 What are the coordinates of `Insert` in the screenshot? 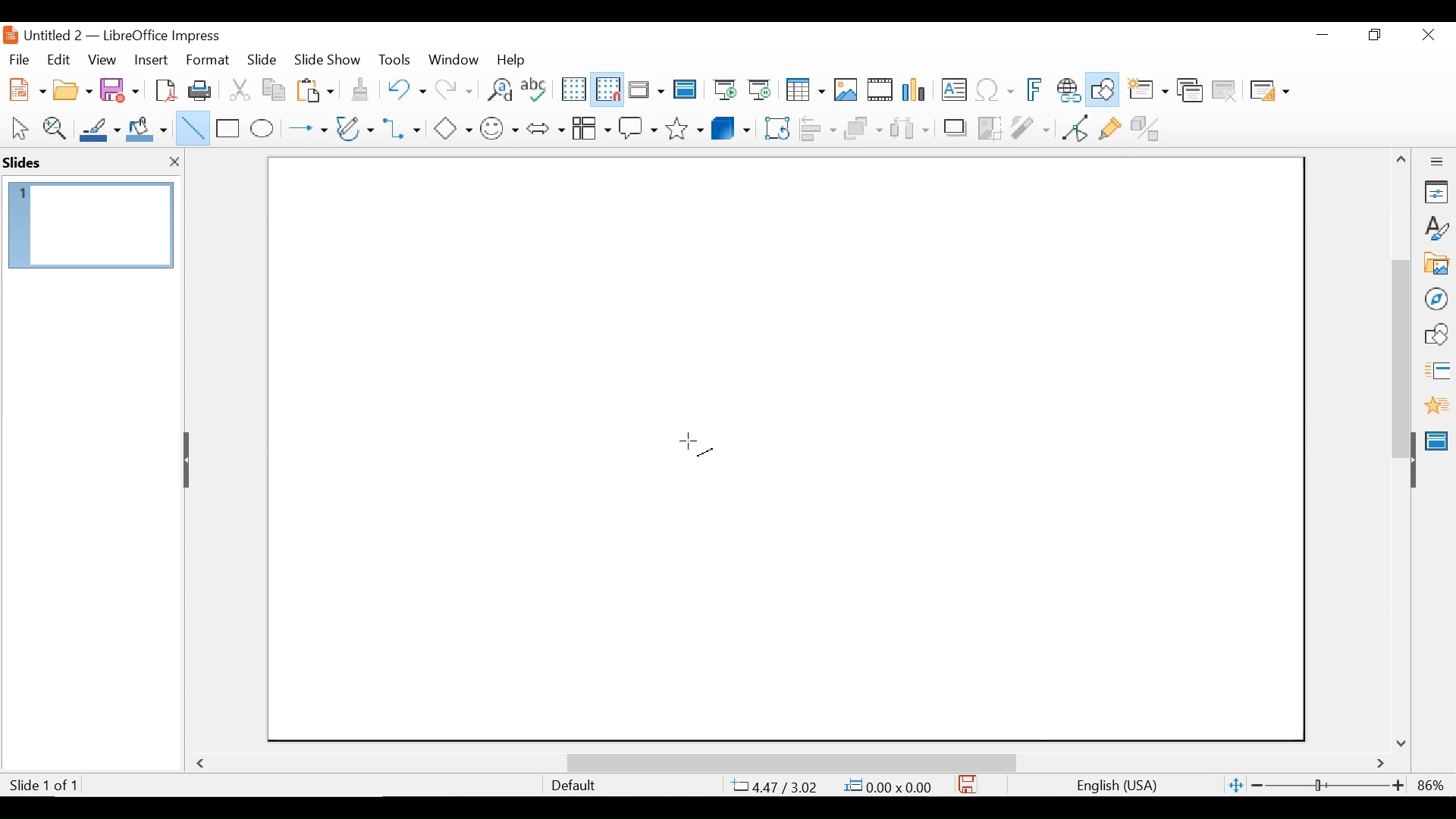 It's located at (149, 60).